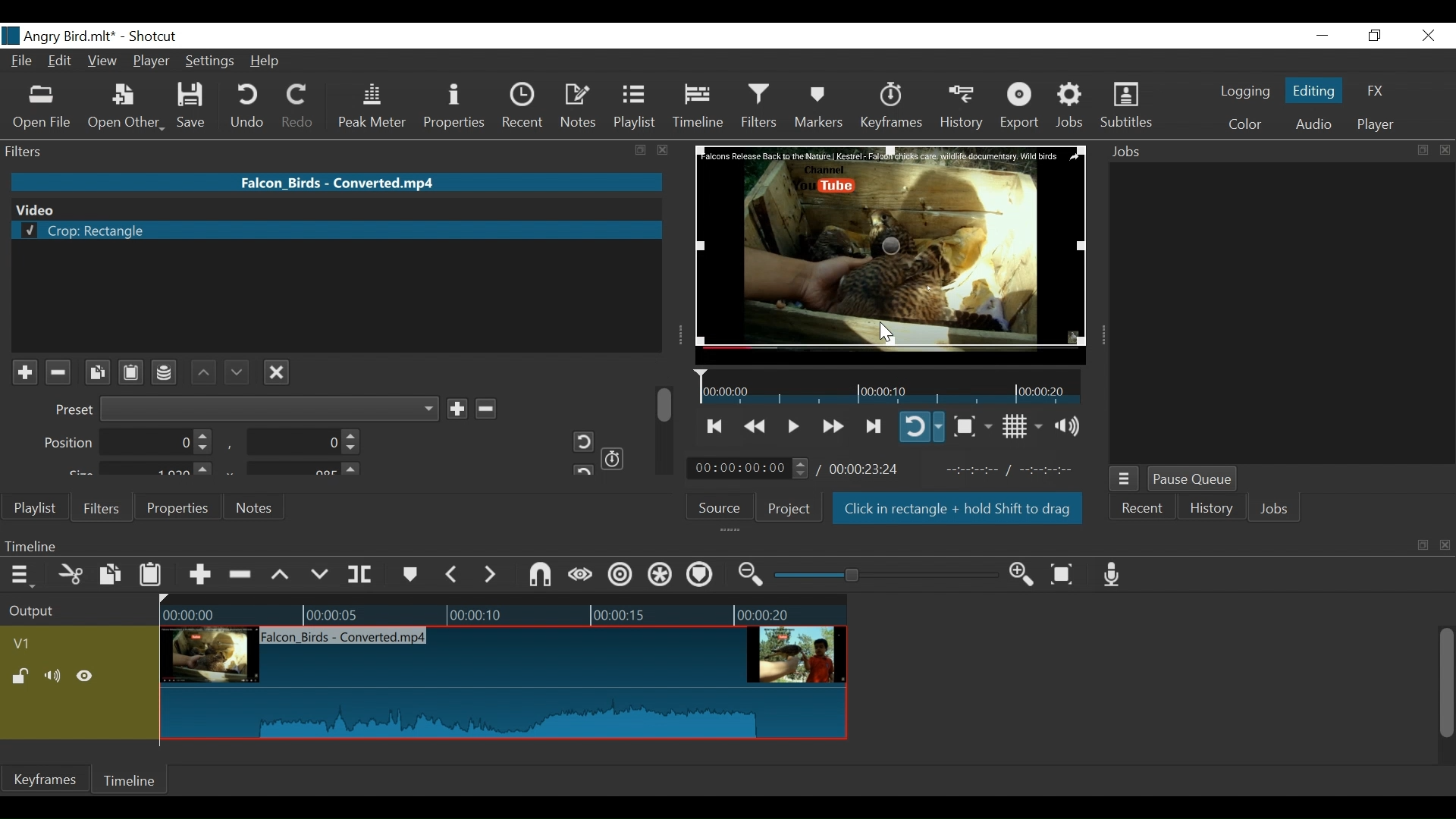 The image size is (1456, 819). What do you see at coordinates (71, 576) in the screenshot?
I see `Cut` at bounding box center [71, 576].